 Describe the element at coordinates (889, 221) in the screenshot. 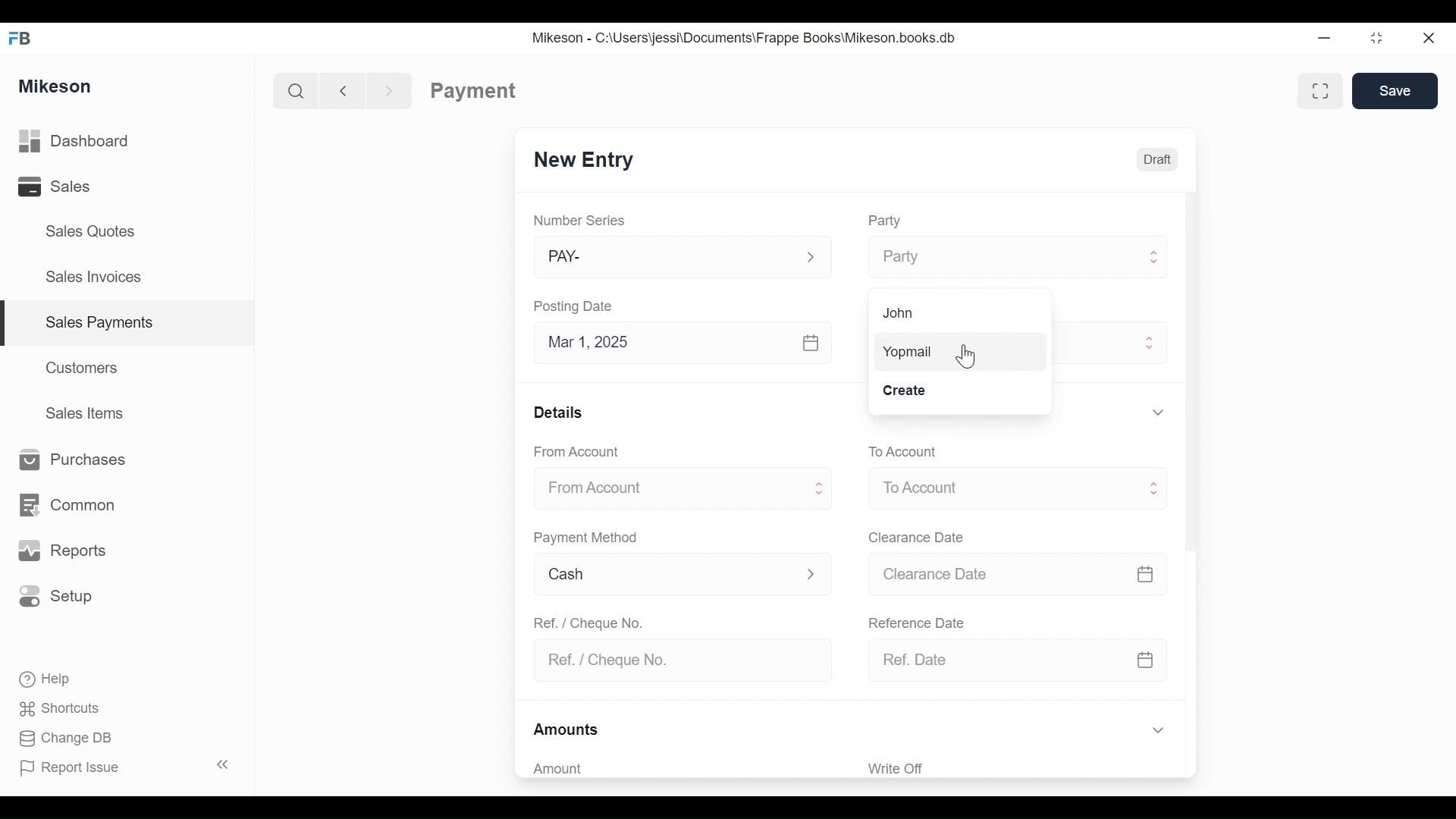

I see `Party` at that location.